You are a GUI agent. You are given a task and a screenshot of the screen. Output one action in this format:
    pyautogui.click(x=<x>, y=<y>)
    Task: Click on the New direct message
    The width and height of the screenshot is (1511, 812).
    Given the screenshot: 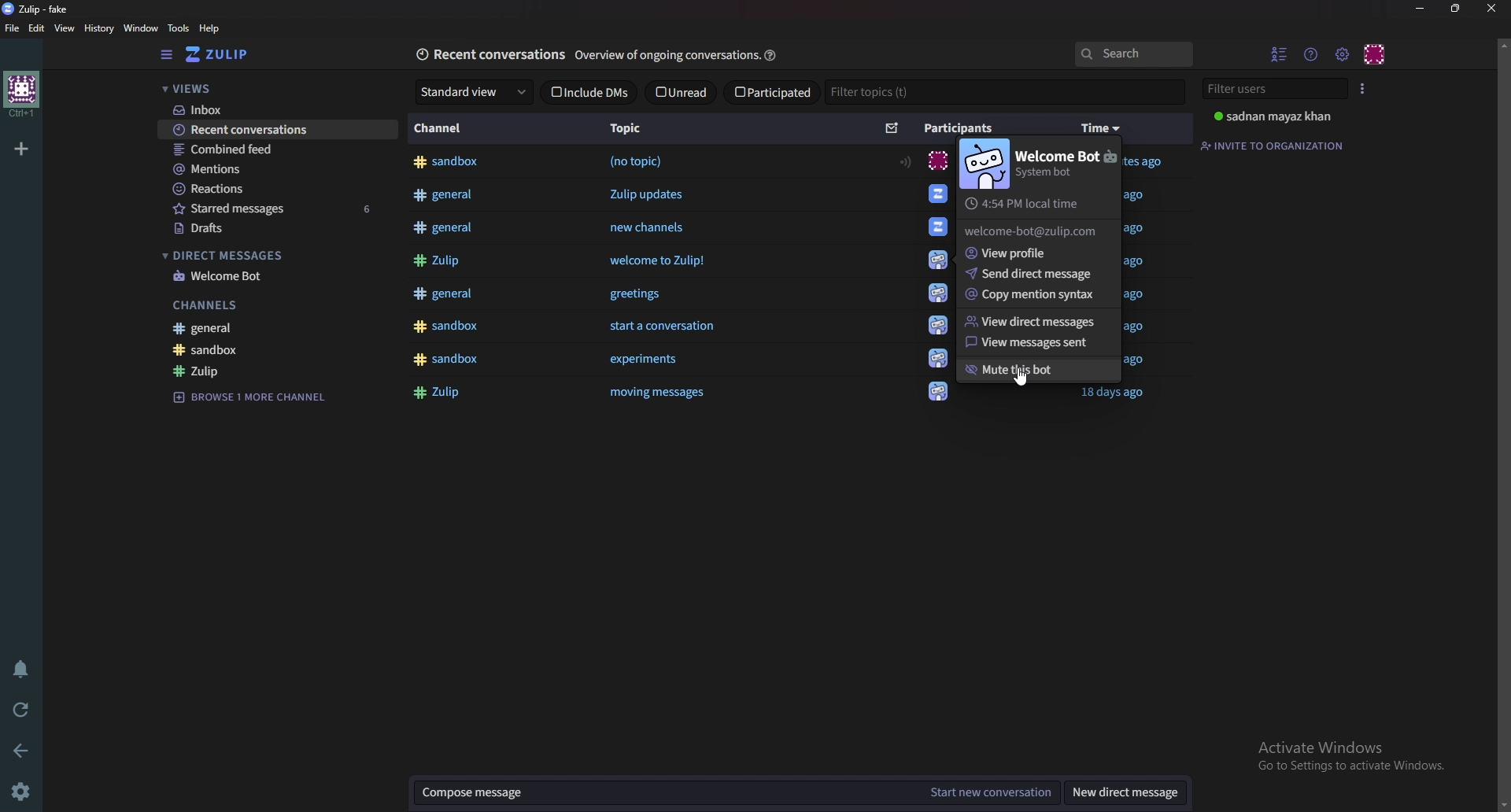 What is the action you would take?
    pyautogui.click(x=1125, y=789)
    